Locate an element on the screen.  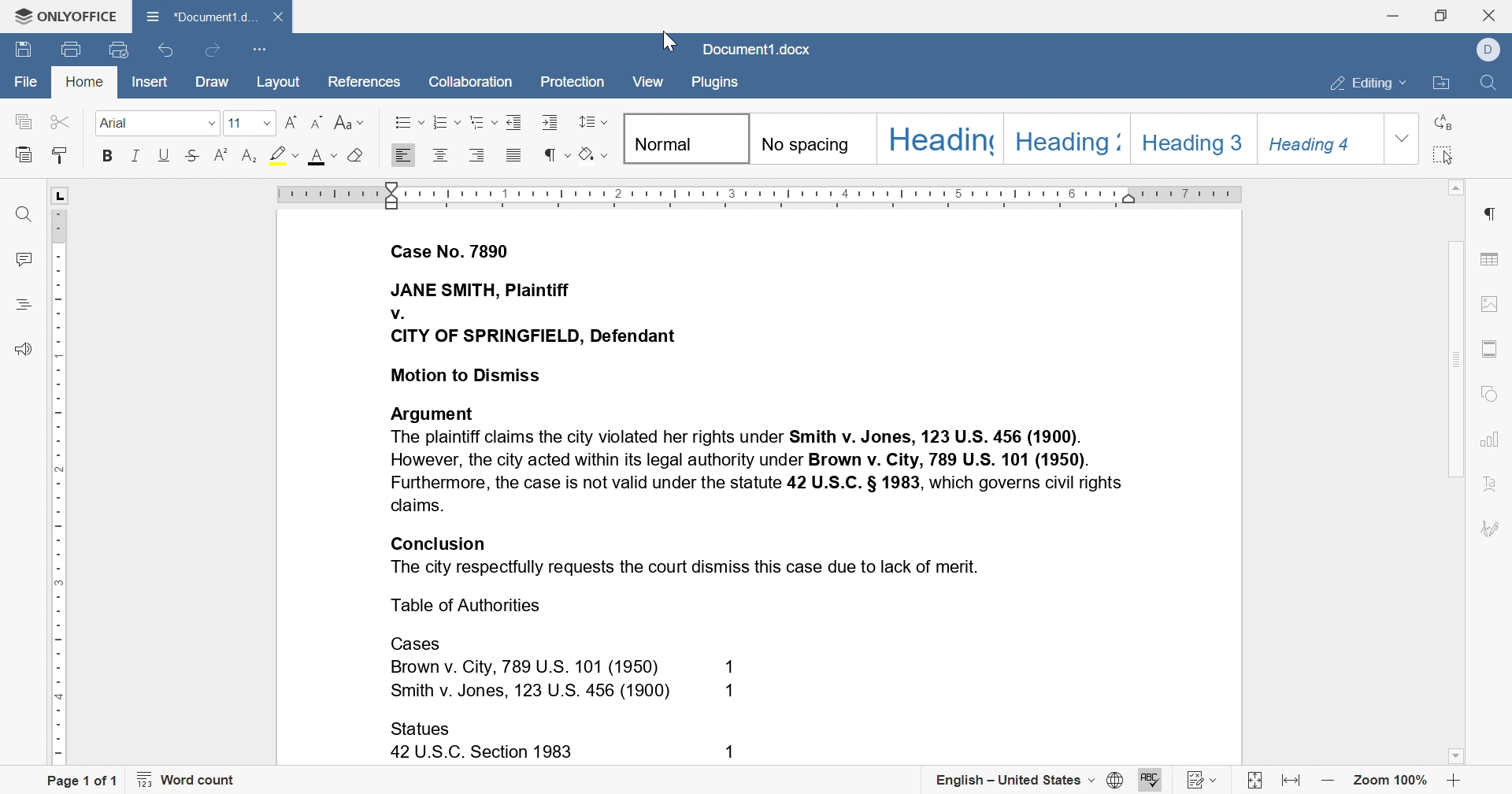
track changes is located at coordinates (1203, 781).